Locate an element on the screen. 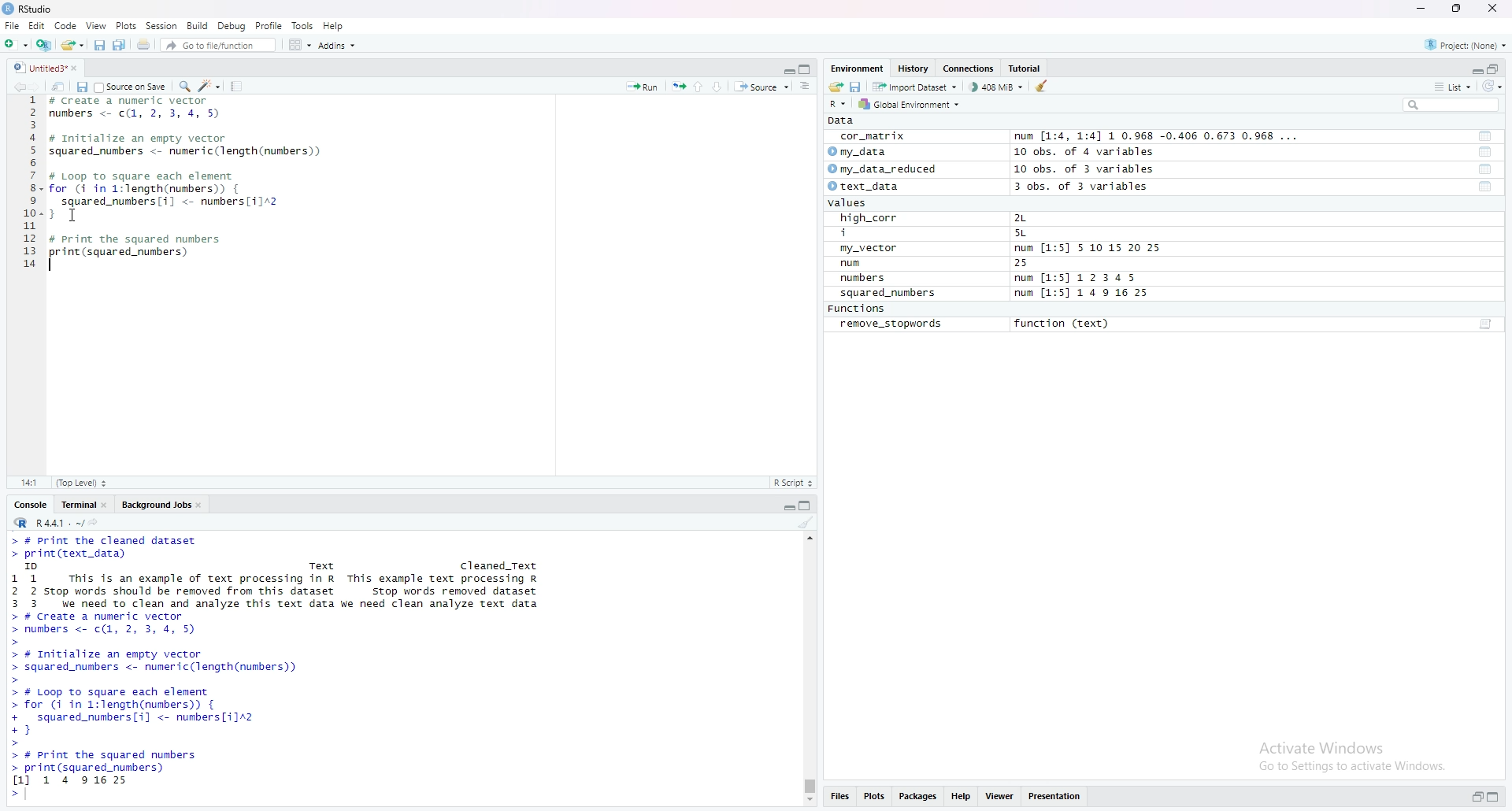  Help is located at coordinates (962, 798).